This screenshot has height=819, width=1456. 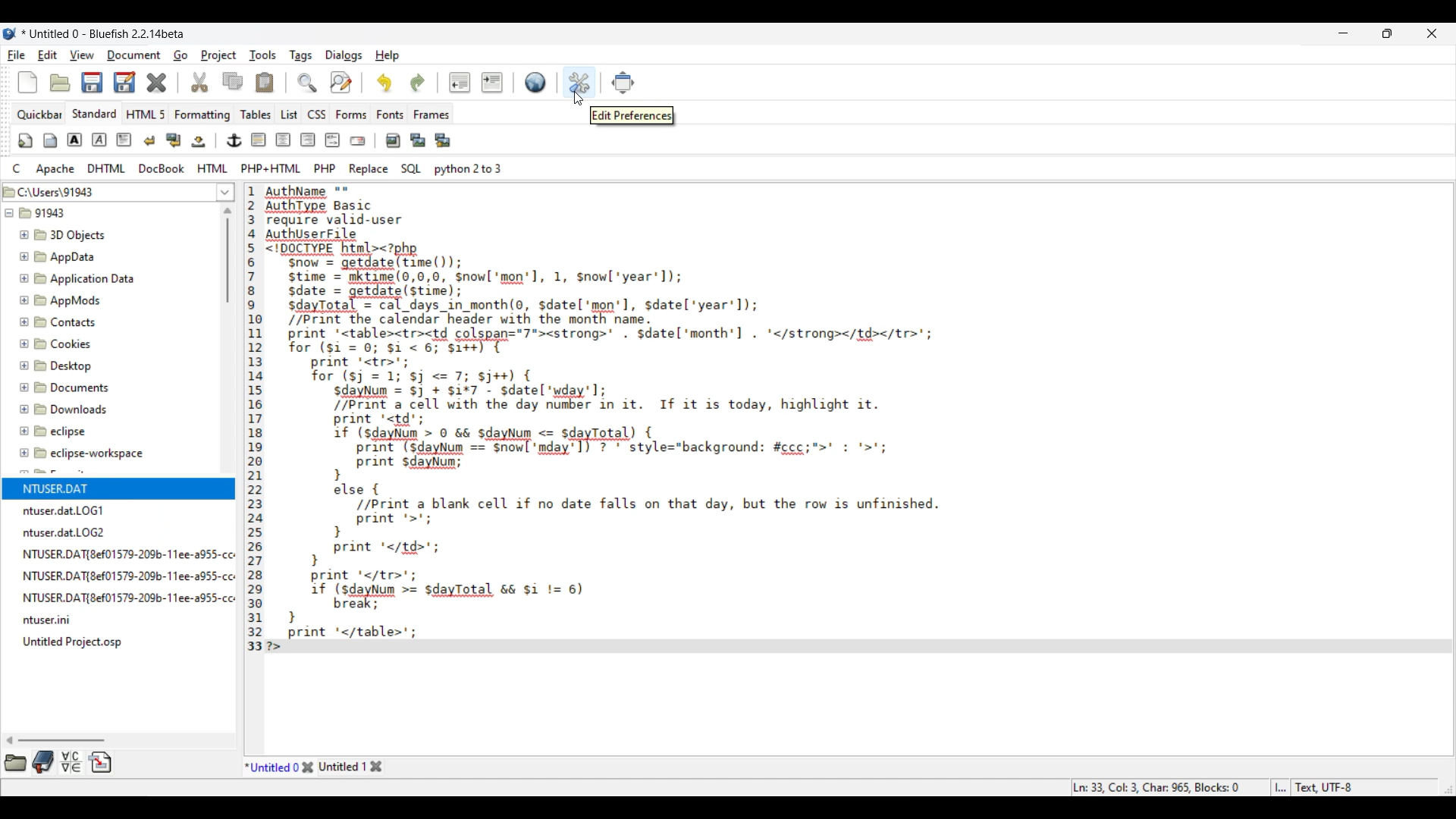 I want to click on Standard, so click(x=95, y=114).